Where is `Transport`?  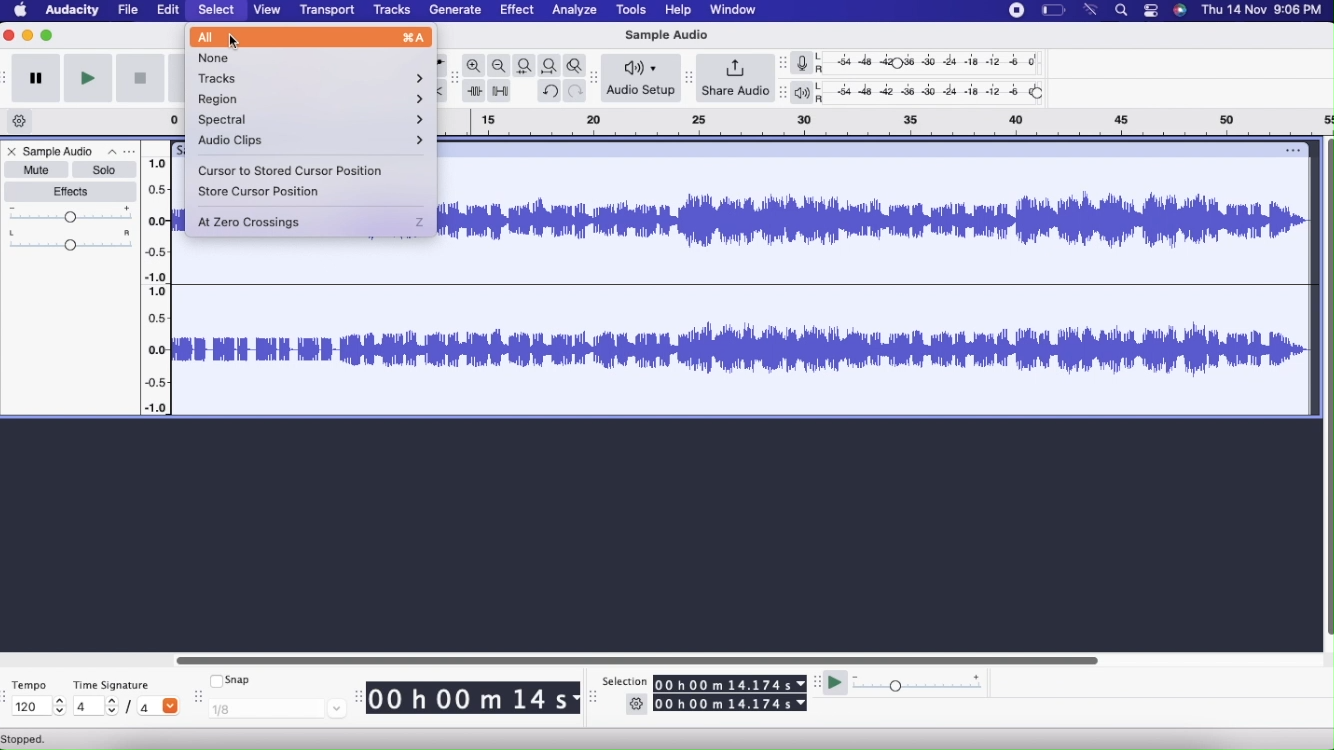 Transport is located at coordinates (326, 11).